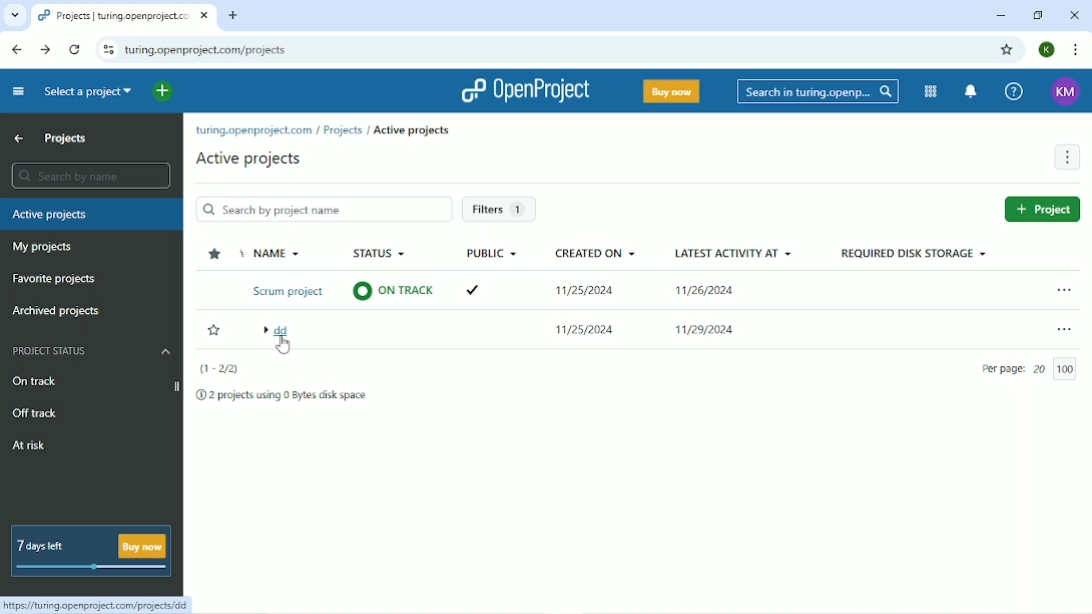 Image resolution: width=1092 pixels, height=614 pixels. Describe the element at coordinates (1002, 15) in the screenshot. I see `Minimize` at that location.